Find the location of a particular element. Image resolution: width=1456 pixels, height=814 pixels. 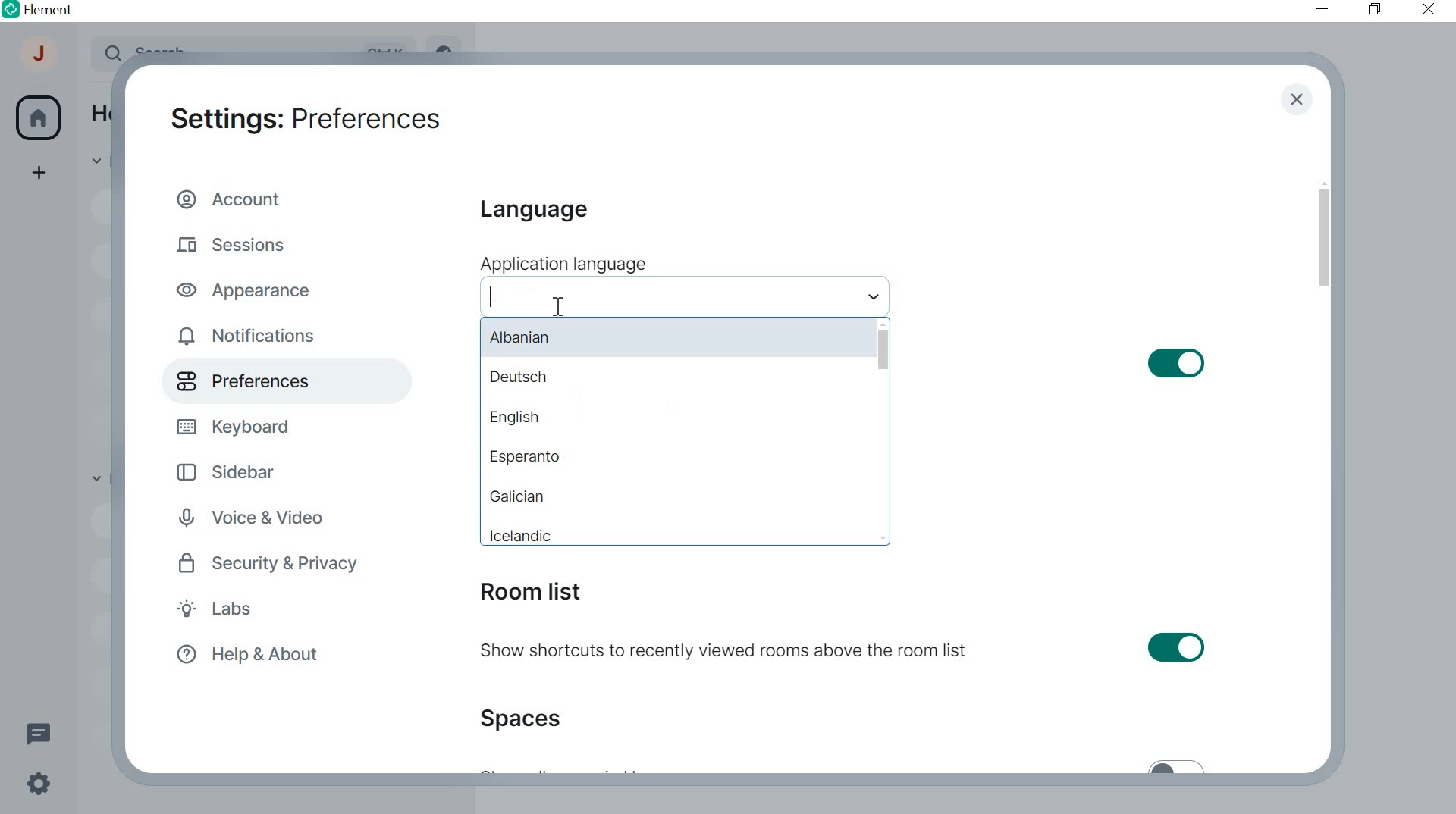

ACCOUNT is located at coordinates (234, 198).